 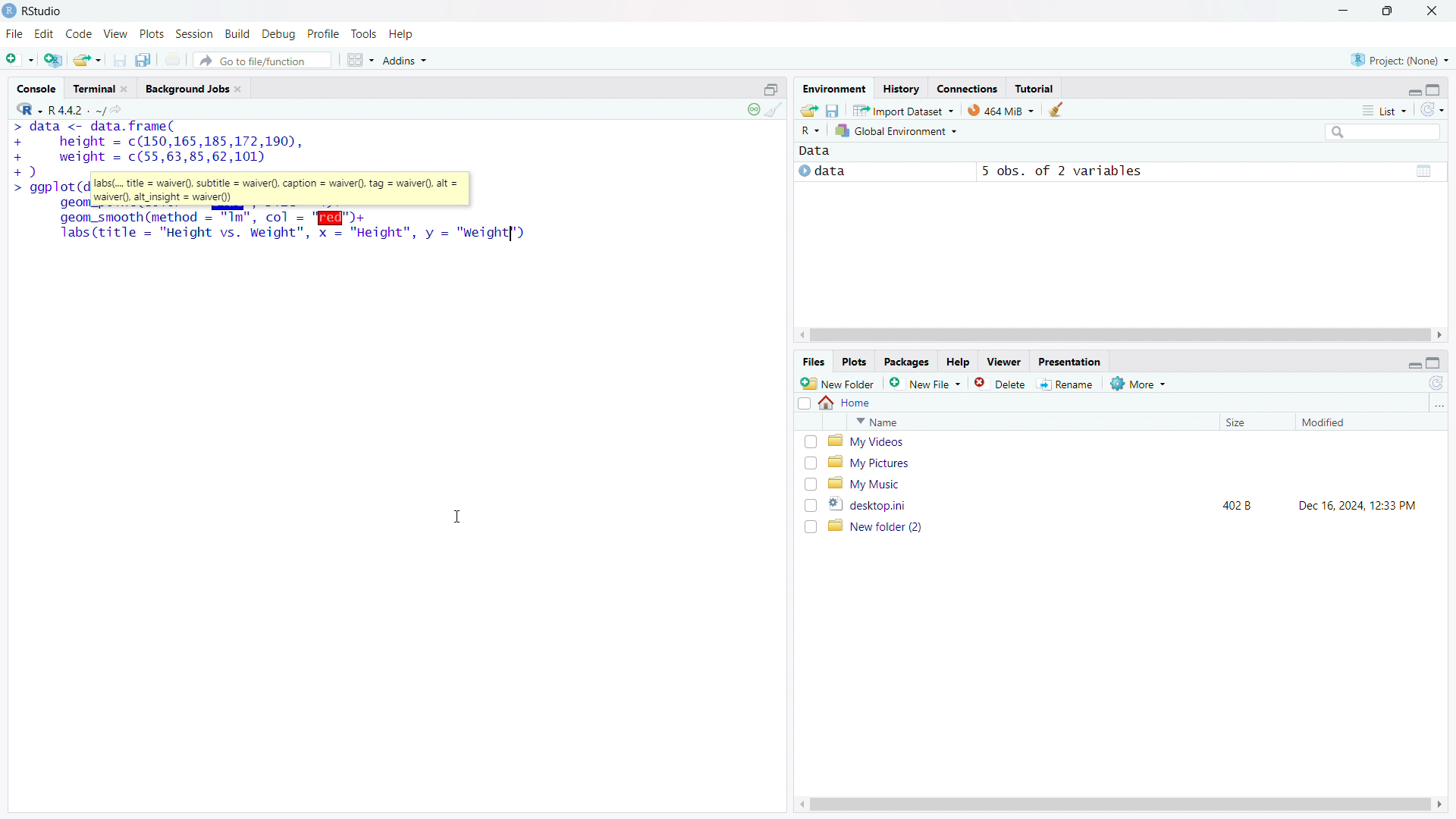 I want to click on my pictures, so click(x=1131, y=462).